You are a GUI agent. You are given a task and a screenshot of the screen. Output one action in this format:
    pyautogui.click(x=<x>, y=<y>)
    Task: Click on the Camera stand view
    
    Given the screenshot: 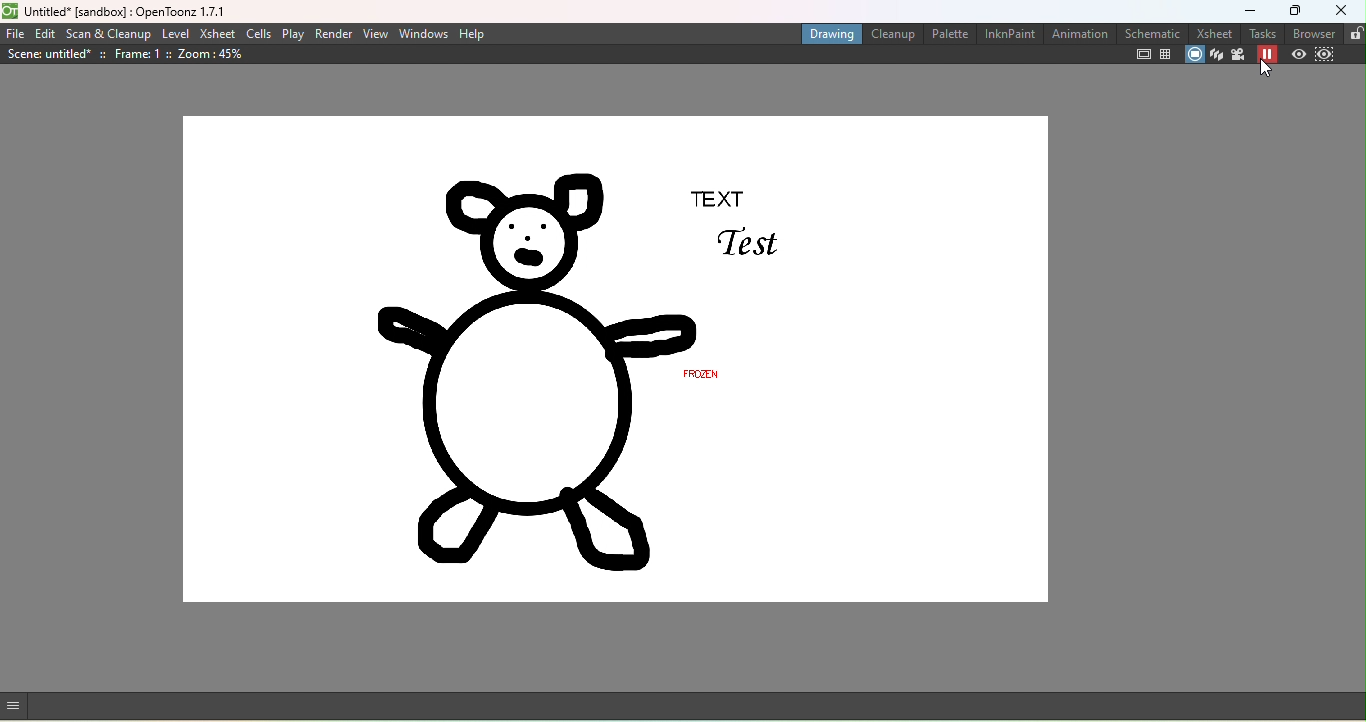 What is the action you would take?
    pyautogui.click(x=1195, y=54)
    